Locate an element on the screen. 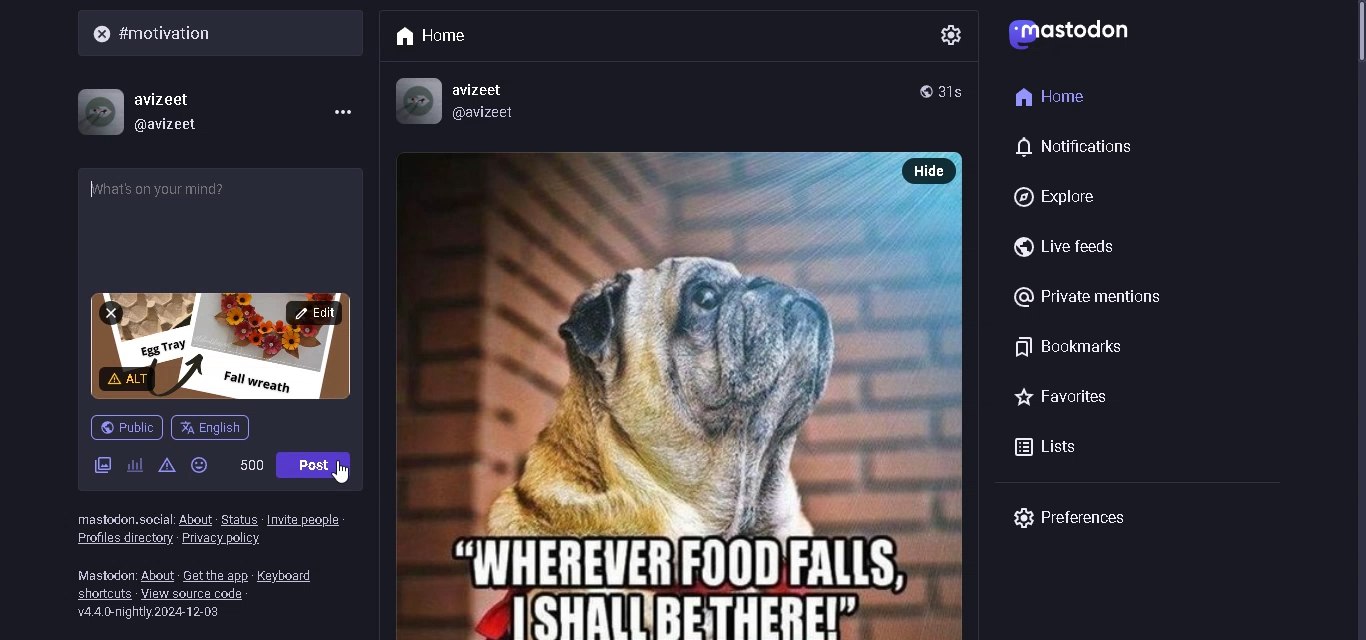 The width and height of the screenshot is (1366, 640). search bar is located at coordinates (226, 34).